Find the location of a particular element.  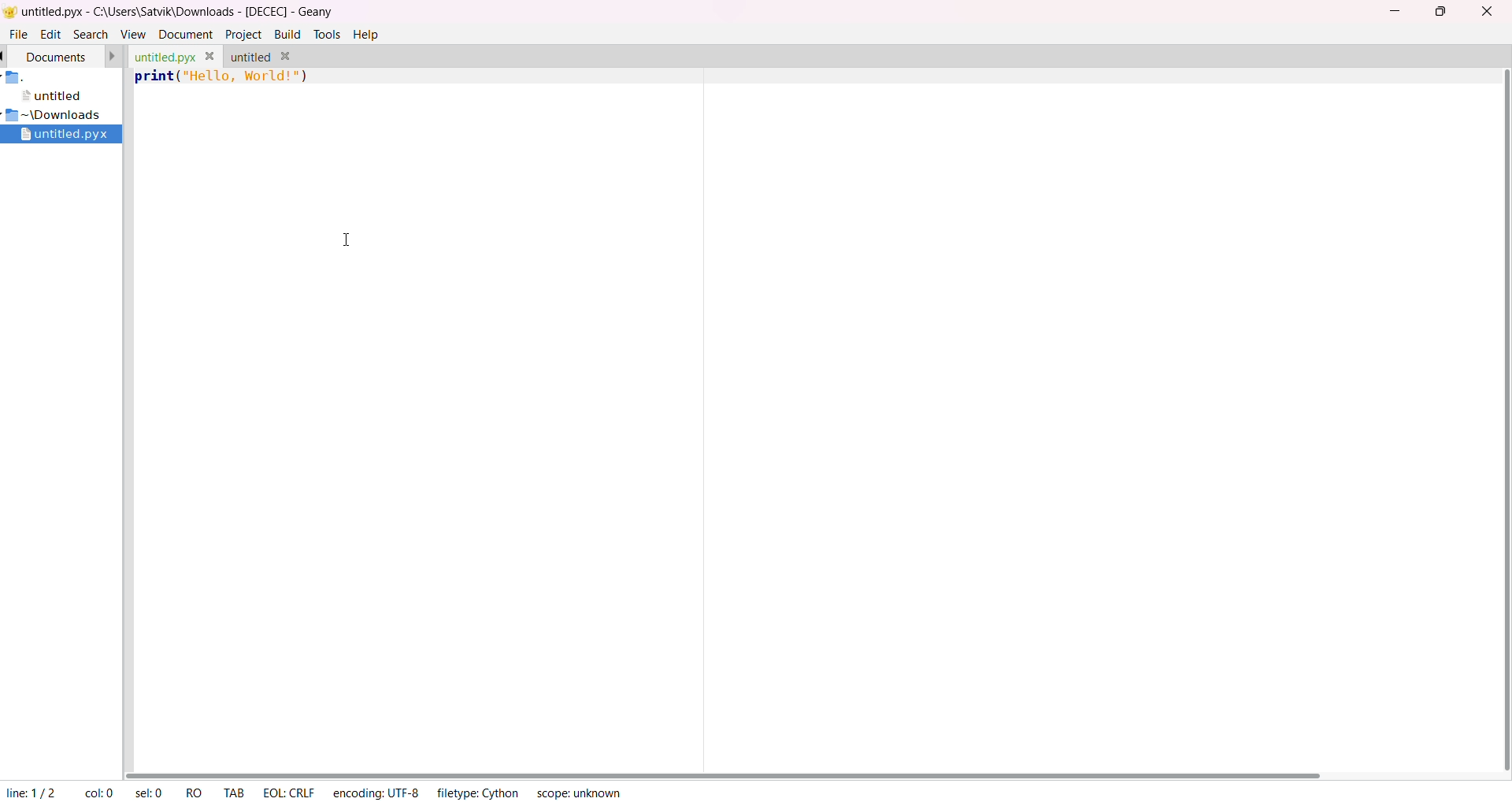

scope: unknown is located at coordinates (580, 793).